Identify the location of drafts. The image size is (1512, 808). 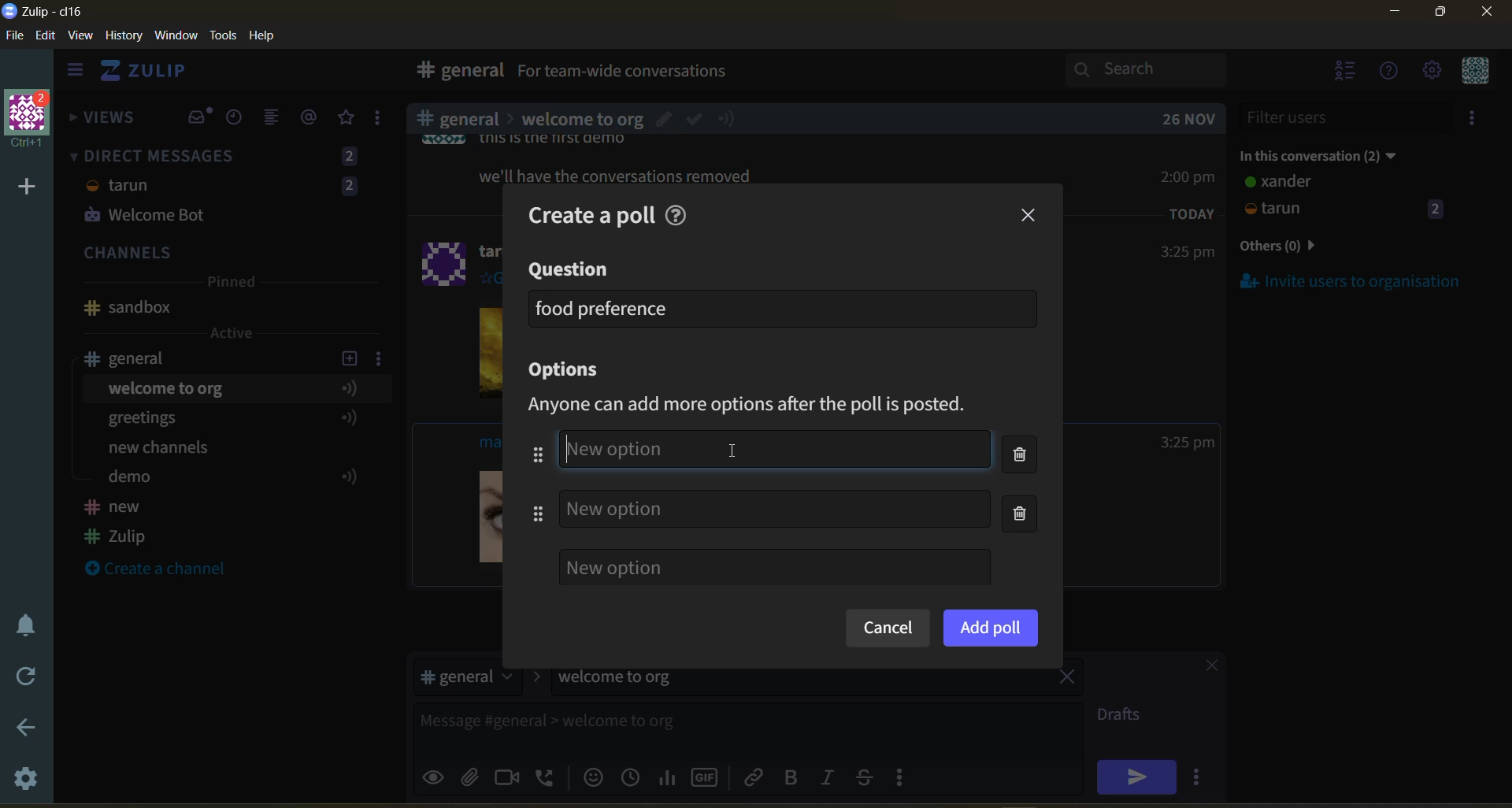
(1125, 717).